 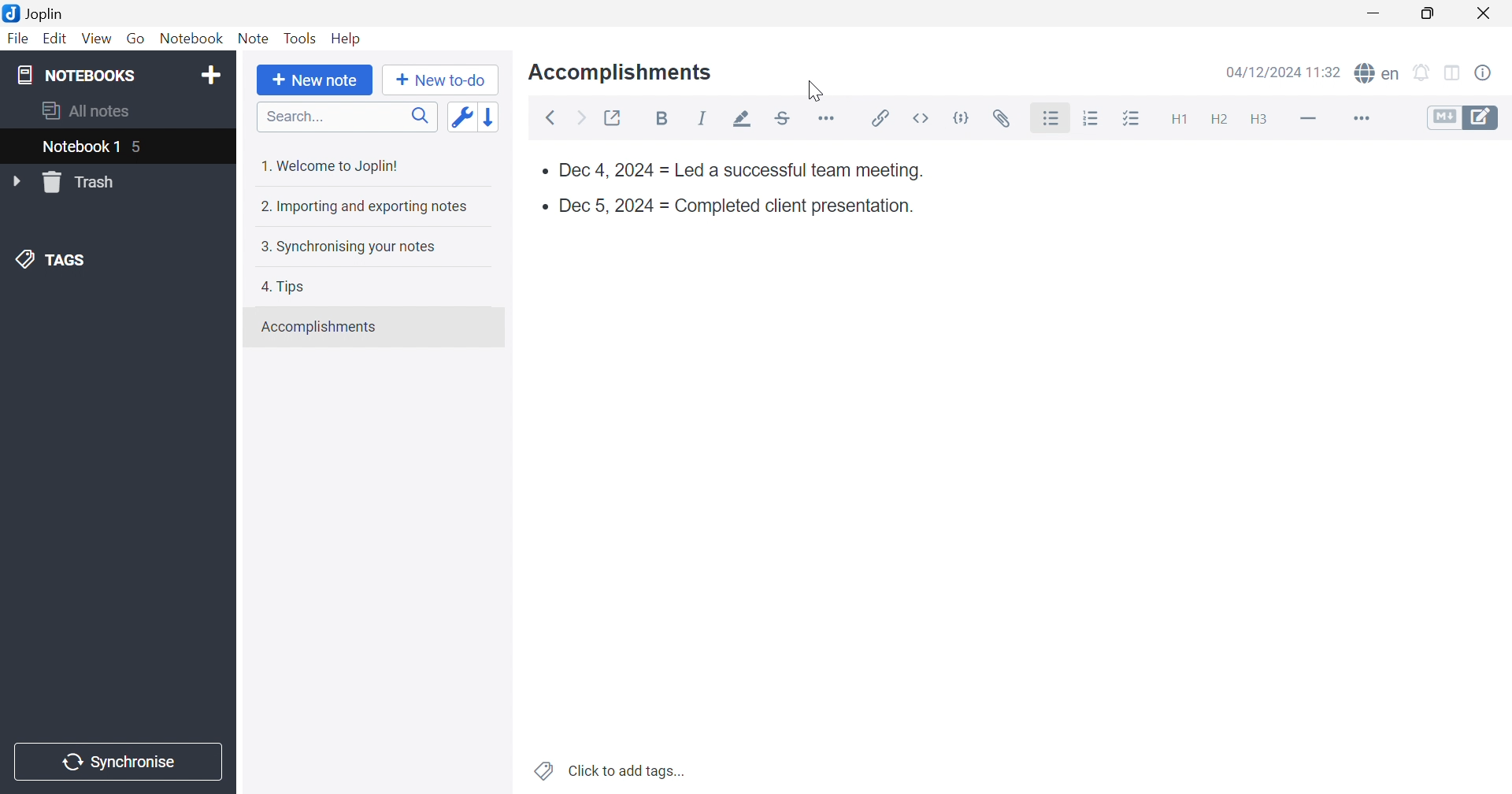 I want to click on TAGS, so click(x=46, y=258).